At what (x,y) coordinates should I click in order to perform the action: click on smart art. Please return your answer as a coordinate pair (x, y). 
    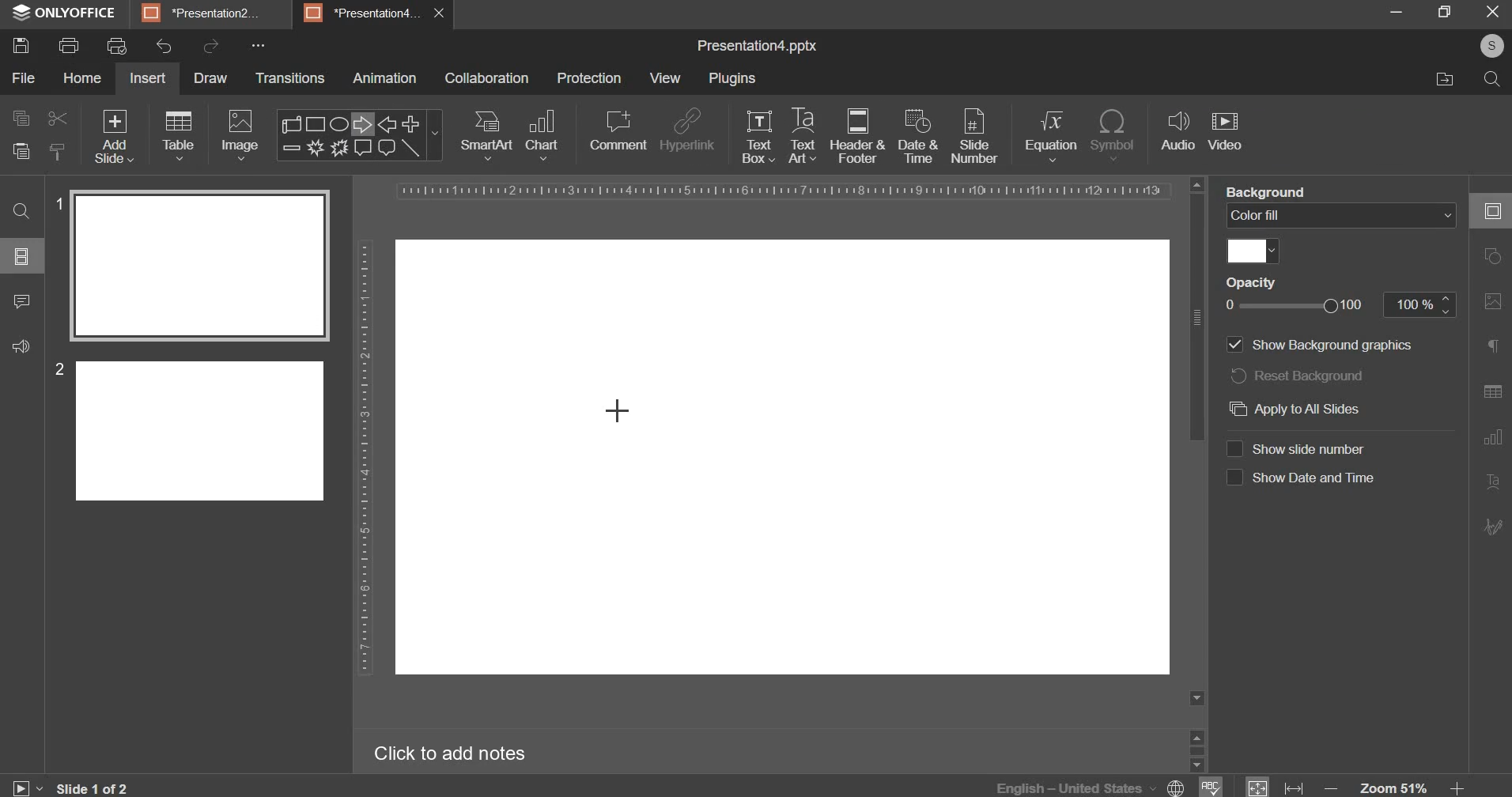
    Looking at the image, I should click on (488, 136).